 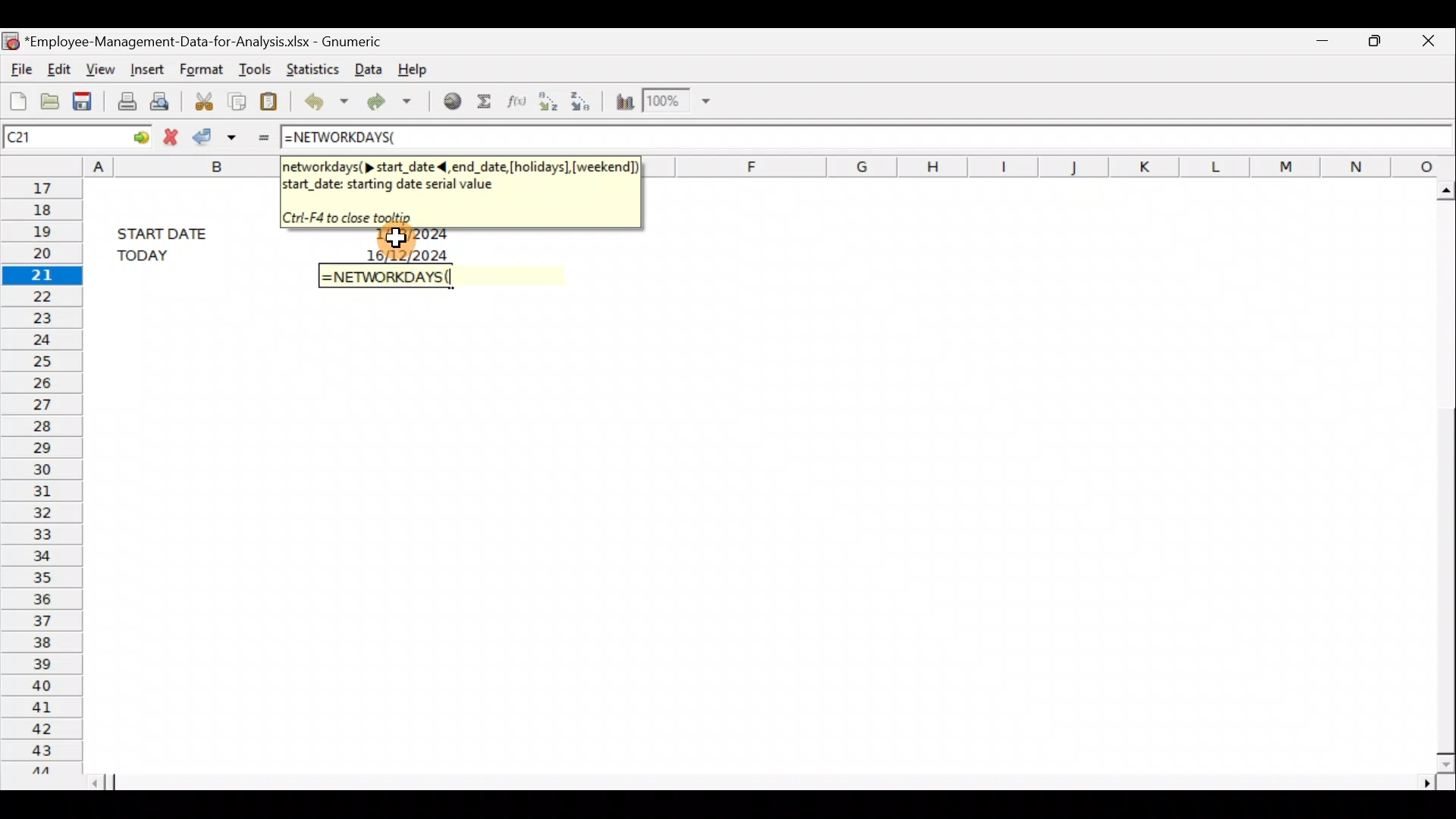 I want to click on =NETWORKDAYS(, so click(x=349, y=139).